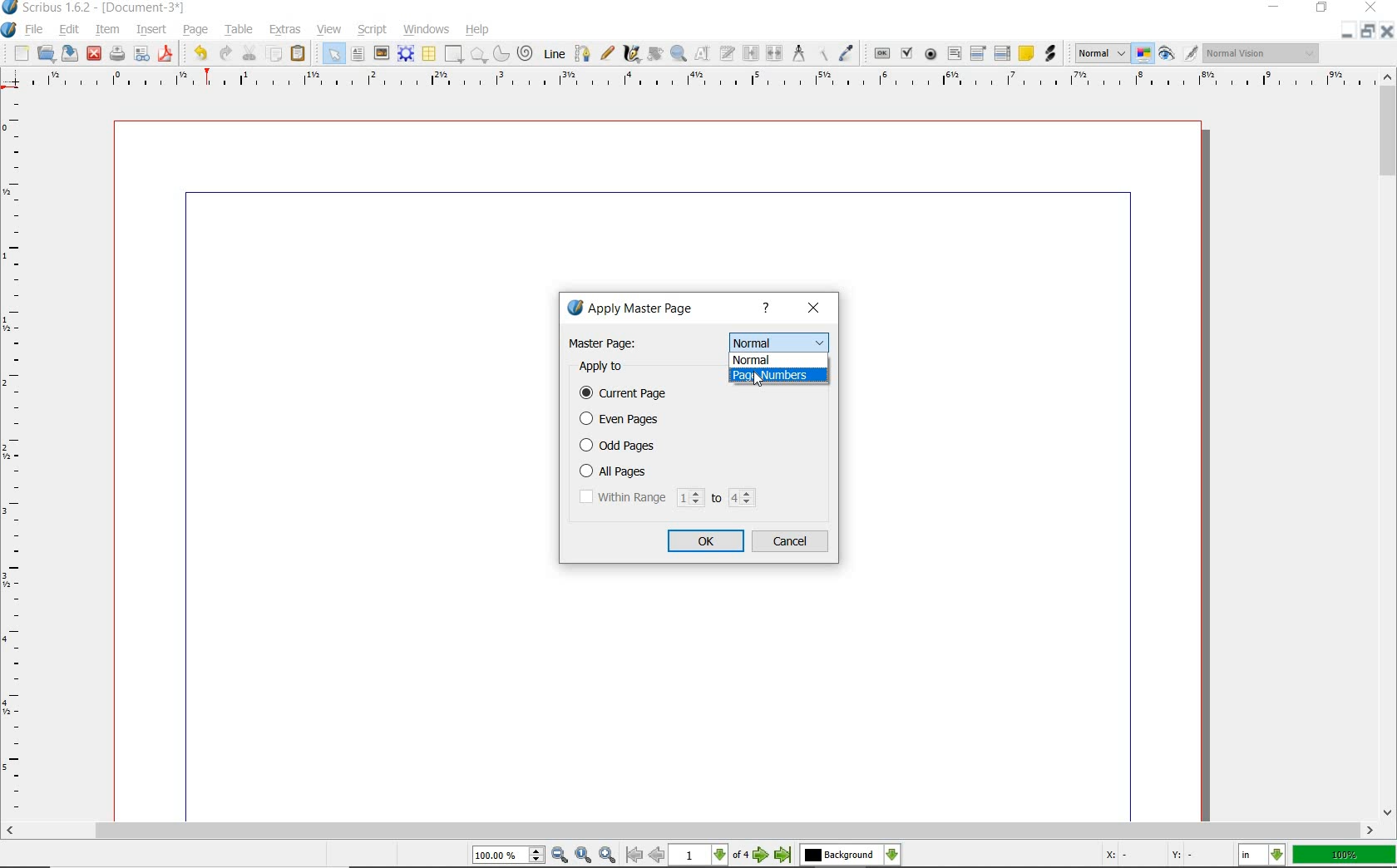  What do you see at coordinates (666, 498) in the screenshot?
I see `within range` at bounding box center [666, 498].